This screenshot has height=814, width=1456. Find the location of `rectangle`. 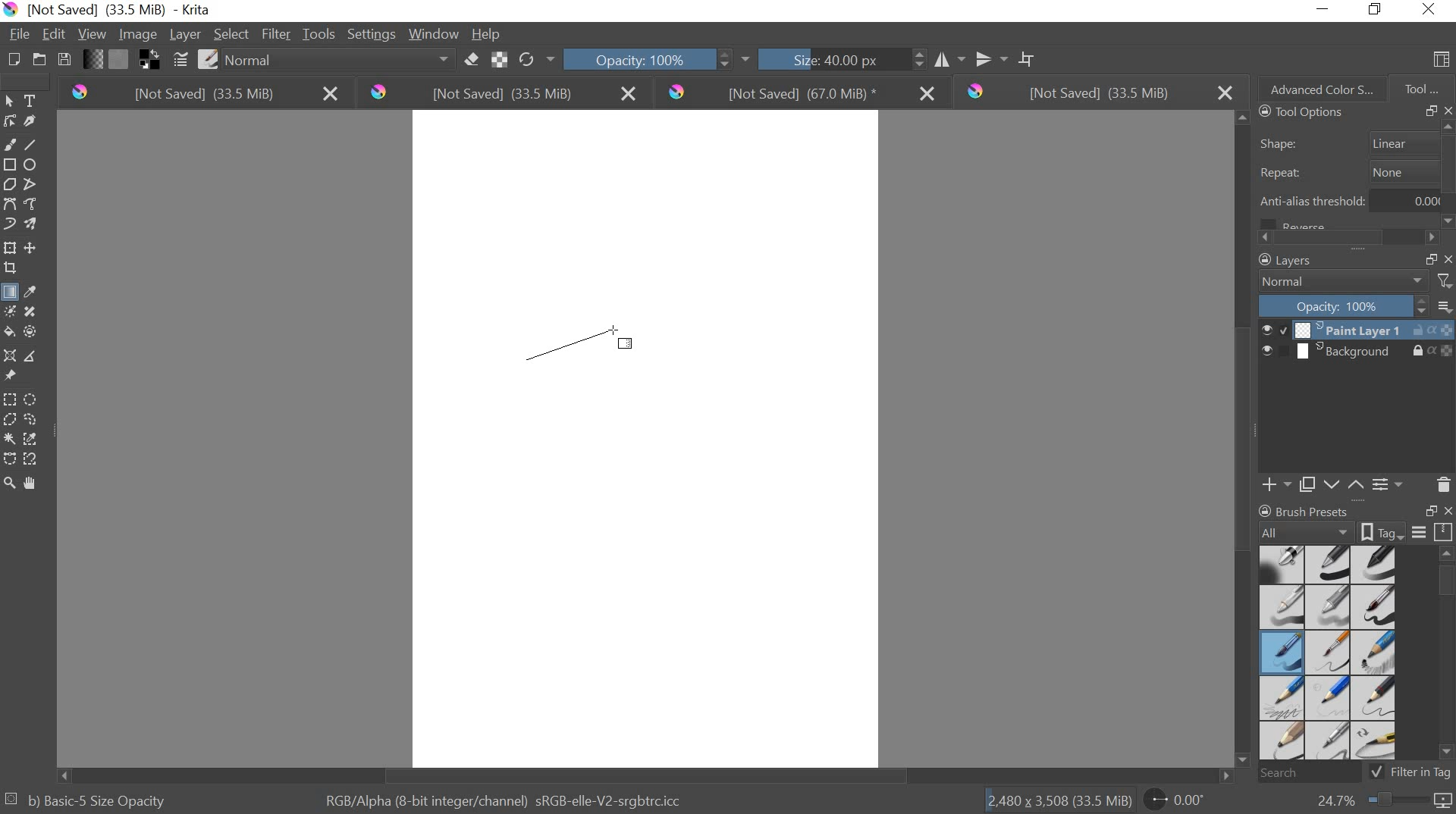

rectangle is located at coordinates (9, 163).